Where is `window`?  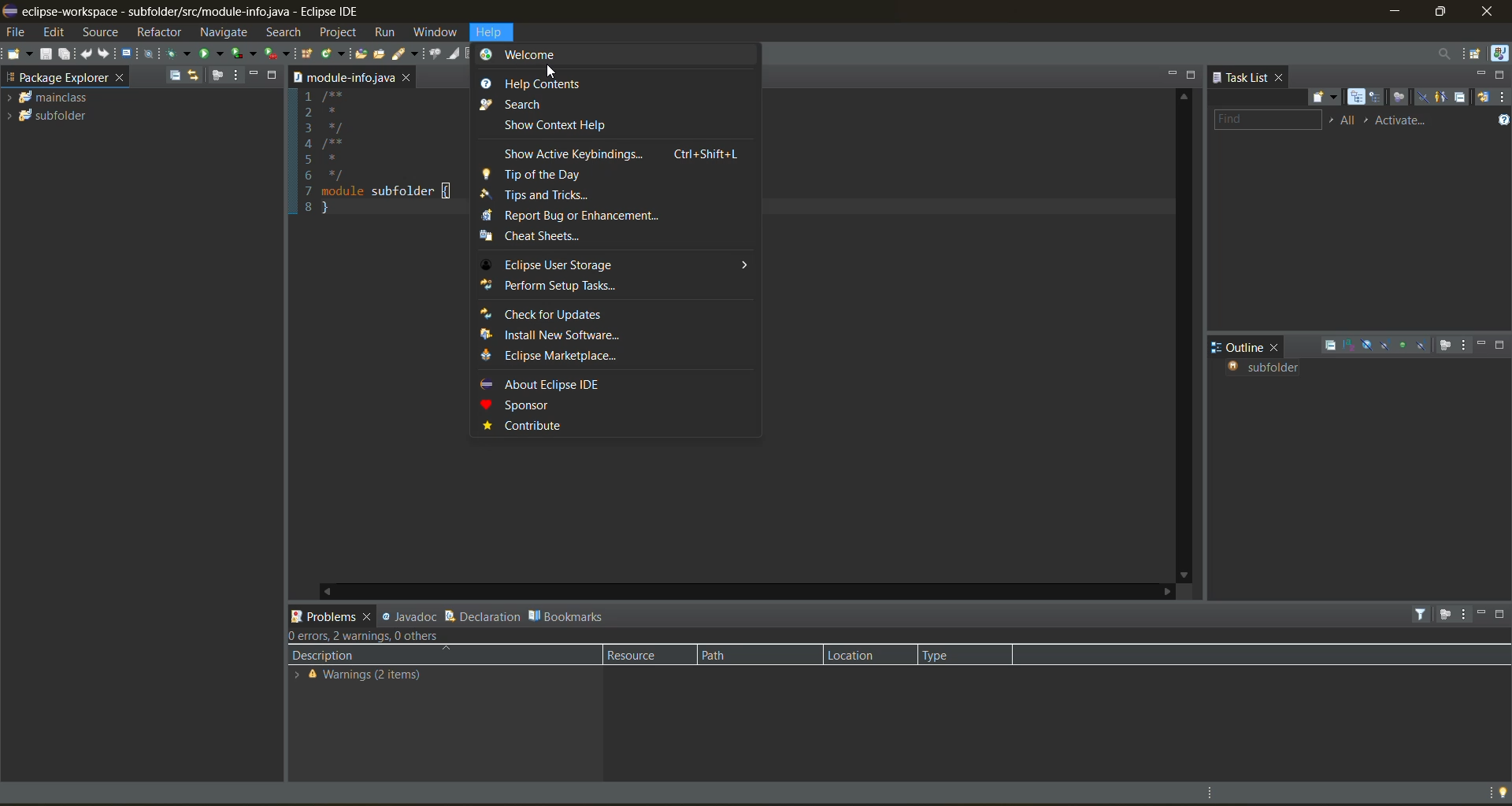 window is located at coordinates (437, 34).